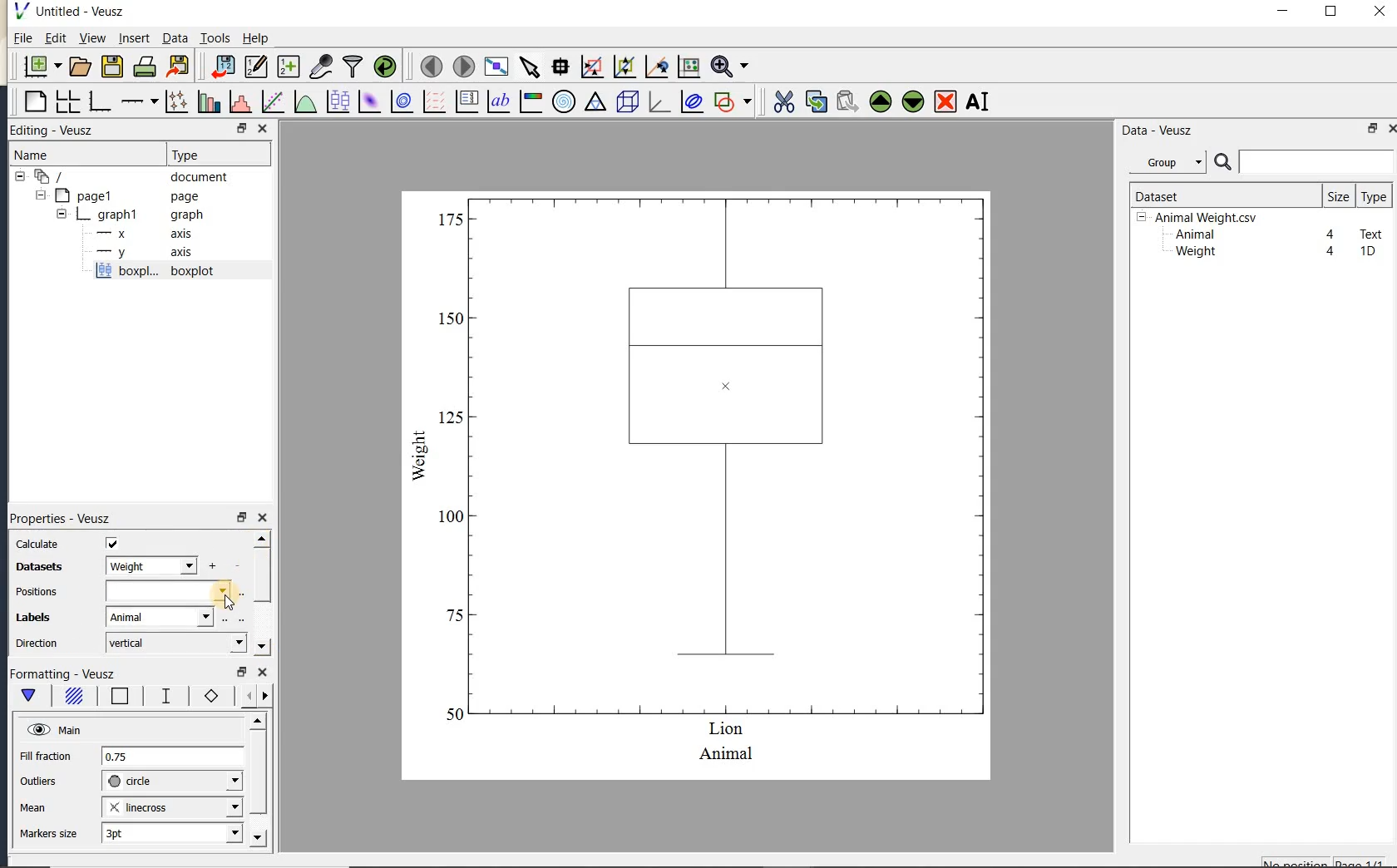  I want to click on markers size, so click(51, 834).